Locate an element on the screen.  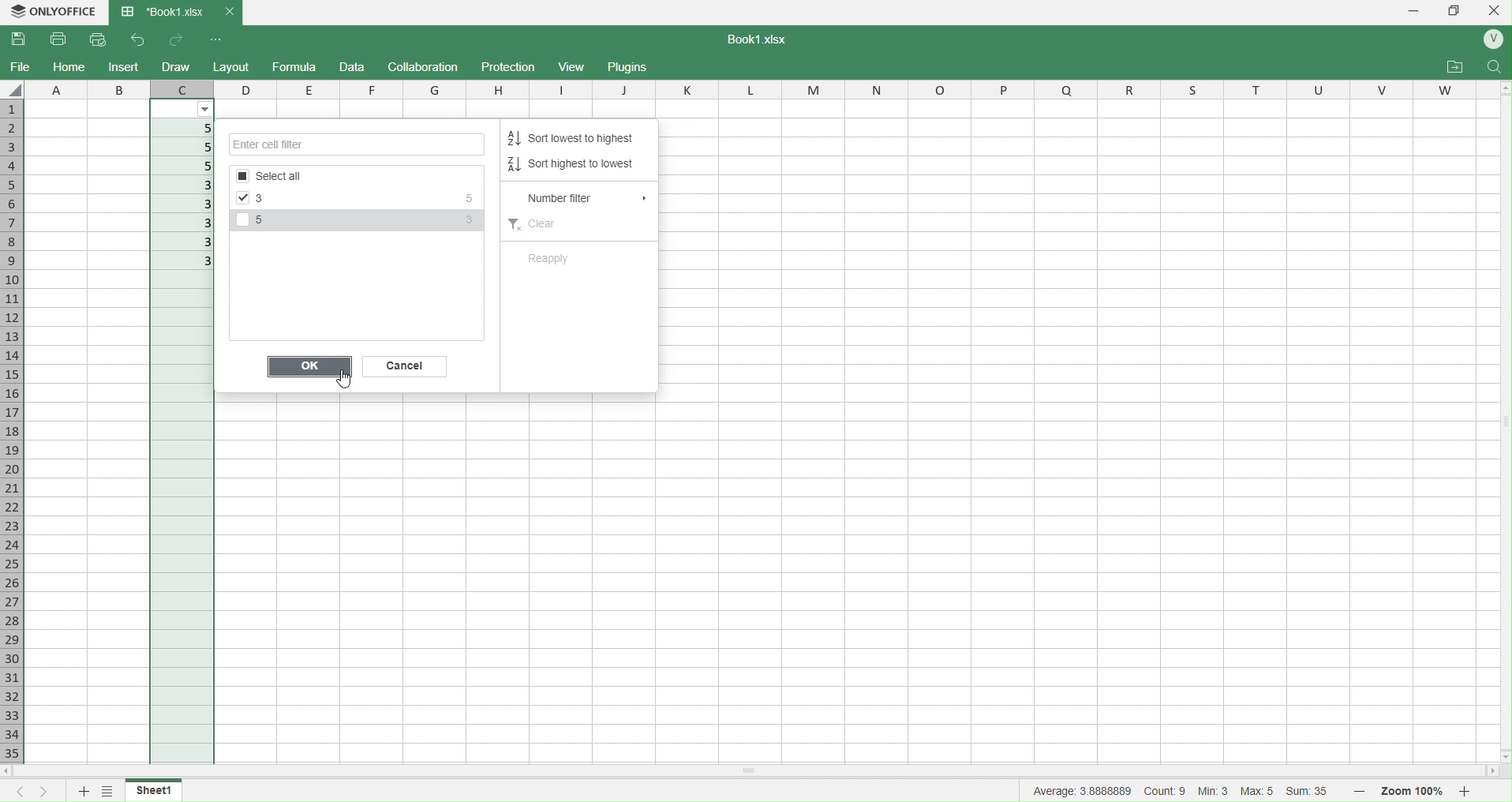
zoom in is located at coordinates (1465, 791).